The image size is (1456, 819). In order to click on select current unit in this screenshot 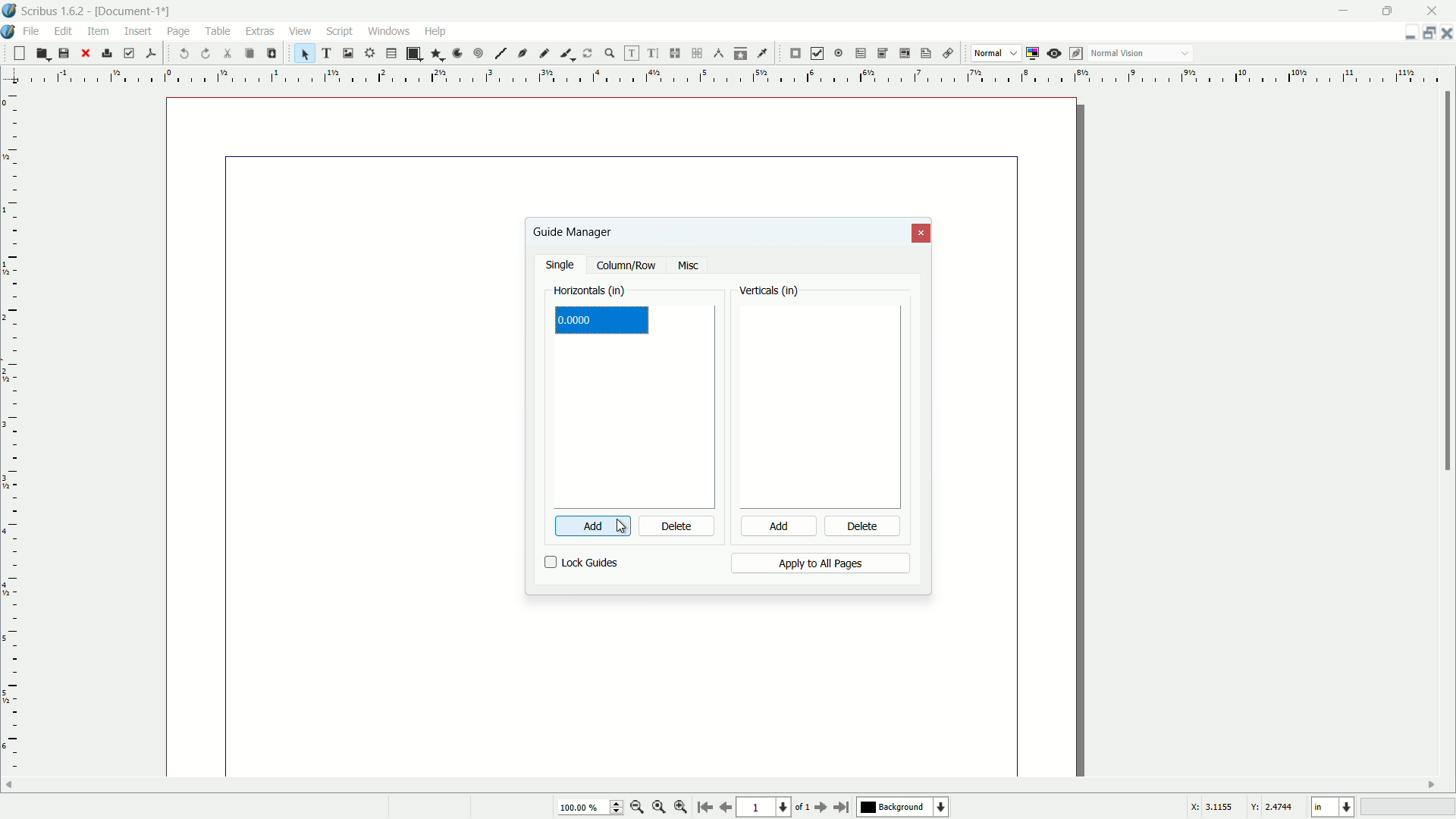, I will do `click(1332, 808)`.